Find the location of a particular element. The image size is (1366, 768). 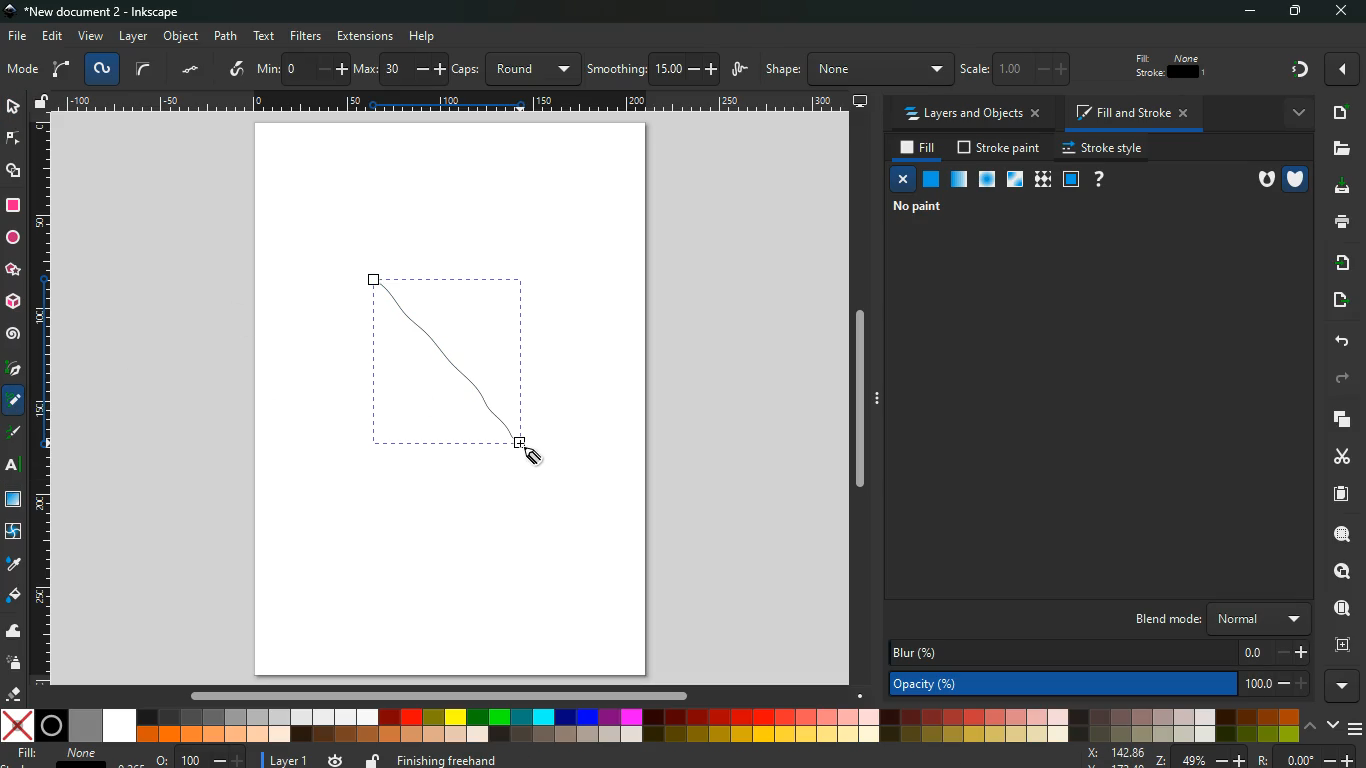

find is located at coordinates (1340, 607).